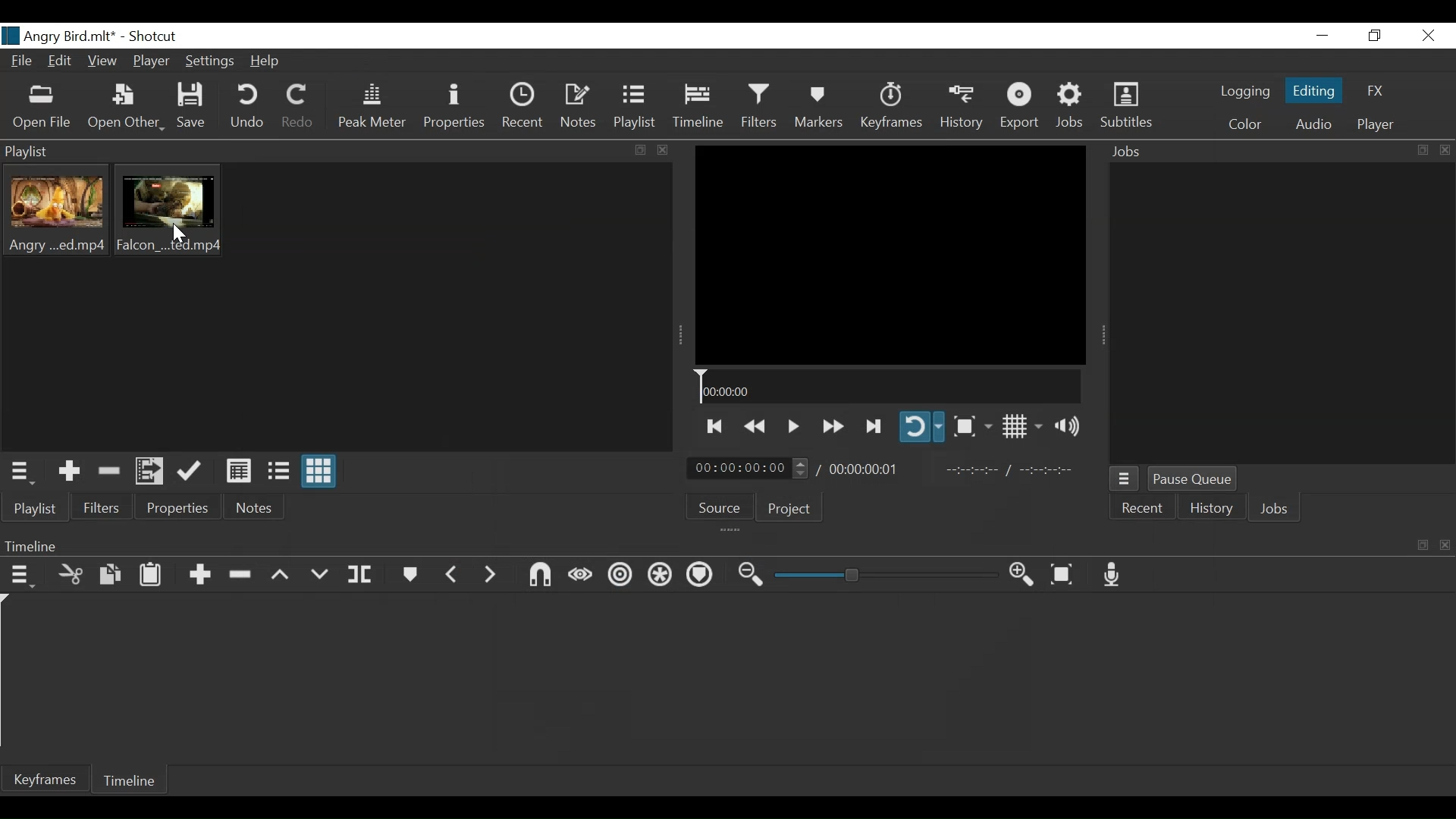  What do you see at coordinates (1275, 510) in the screenshot?
I see `Jobs` at bounding box center [1275, 510].